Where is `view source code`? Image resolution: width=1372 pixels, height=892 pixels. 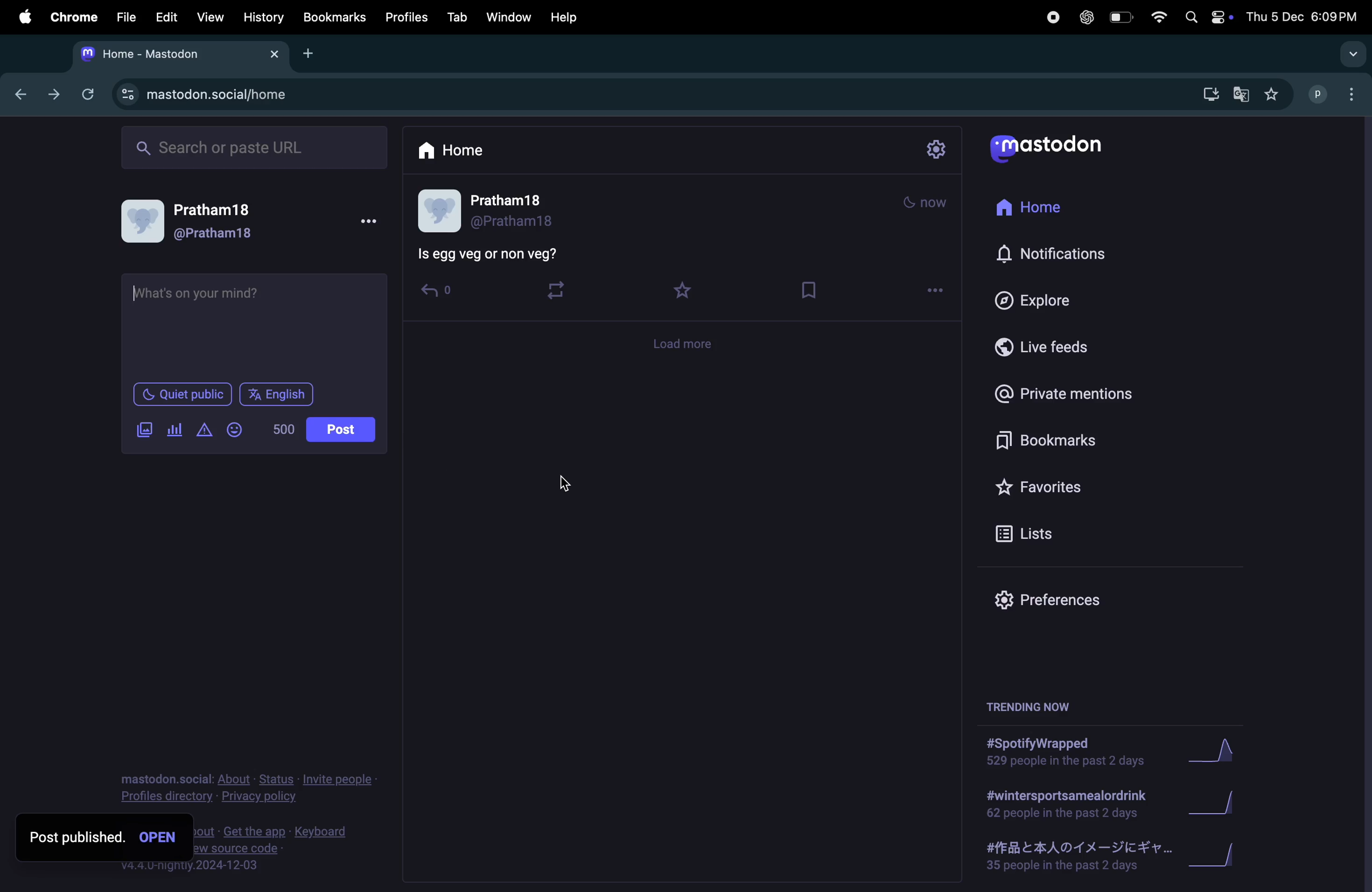 view source code is located at coordinates (302, 850).